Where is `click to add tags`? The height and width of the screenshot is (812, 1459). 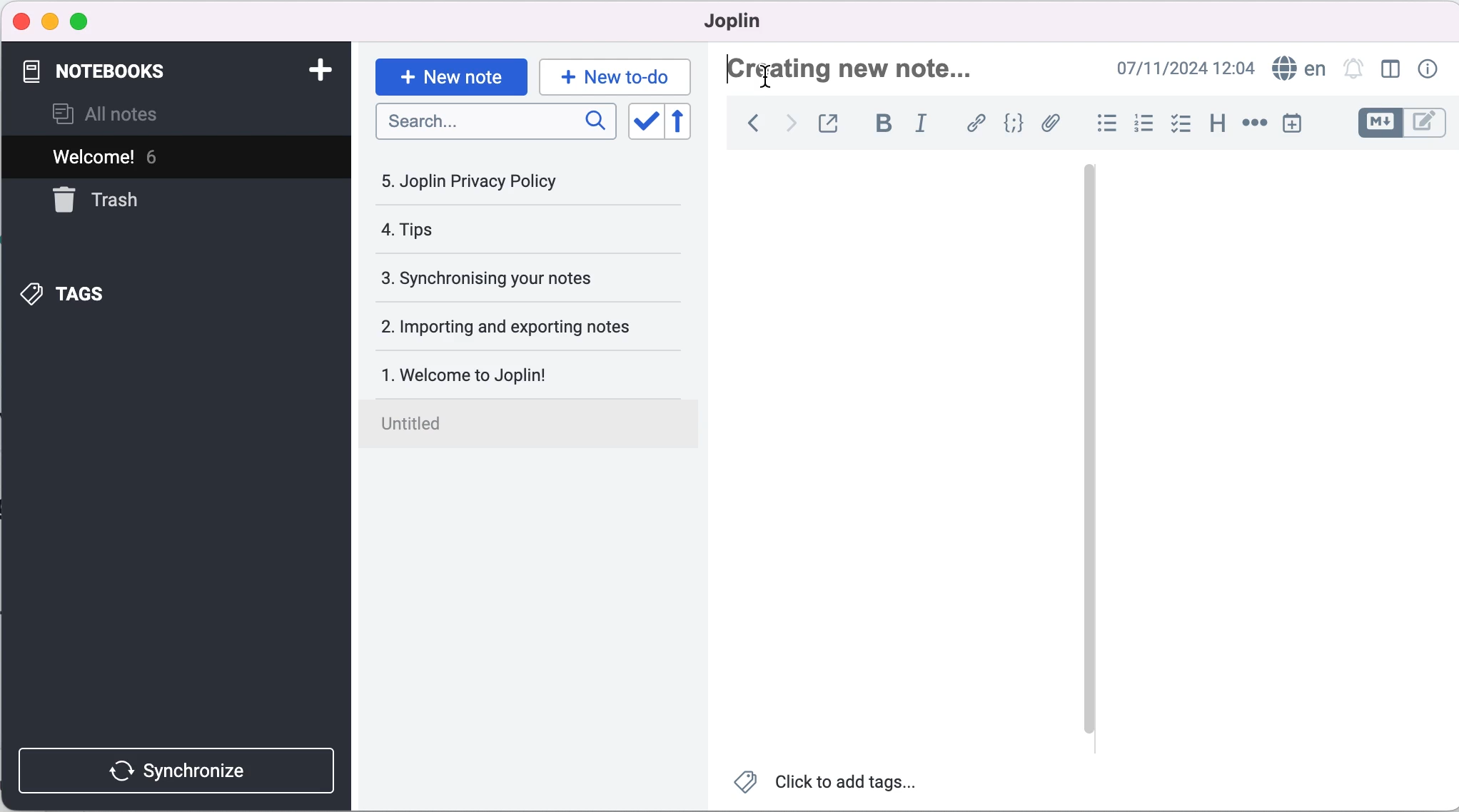 click to add tags is located at coordinates (829, 781).